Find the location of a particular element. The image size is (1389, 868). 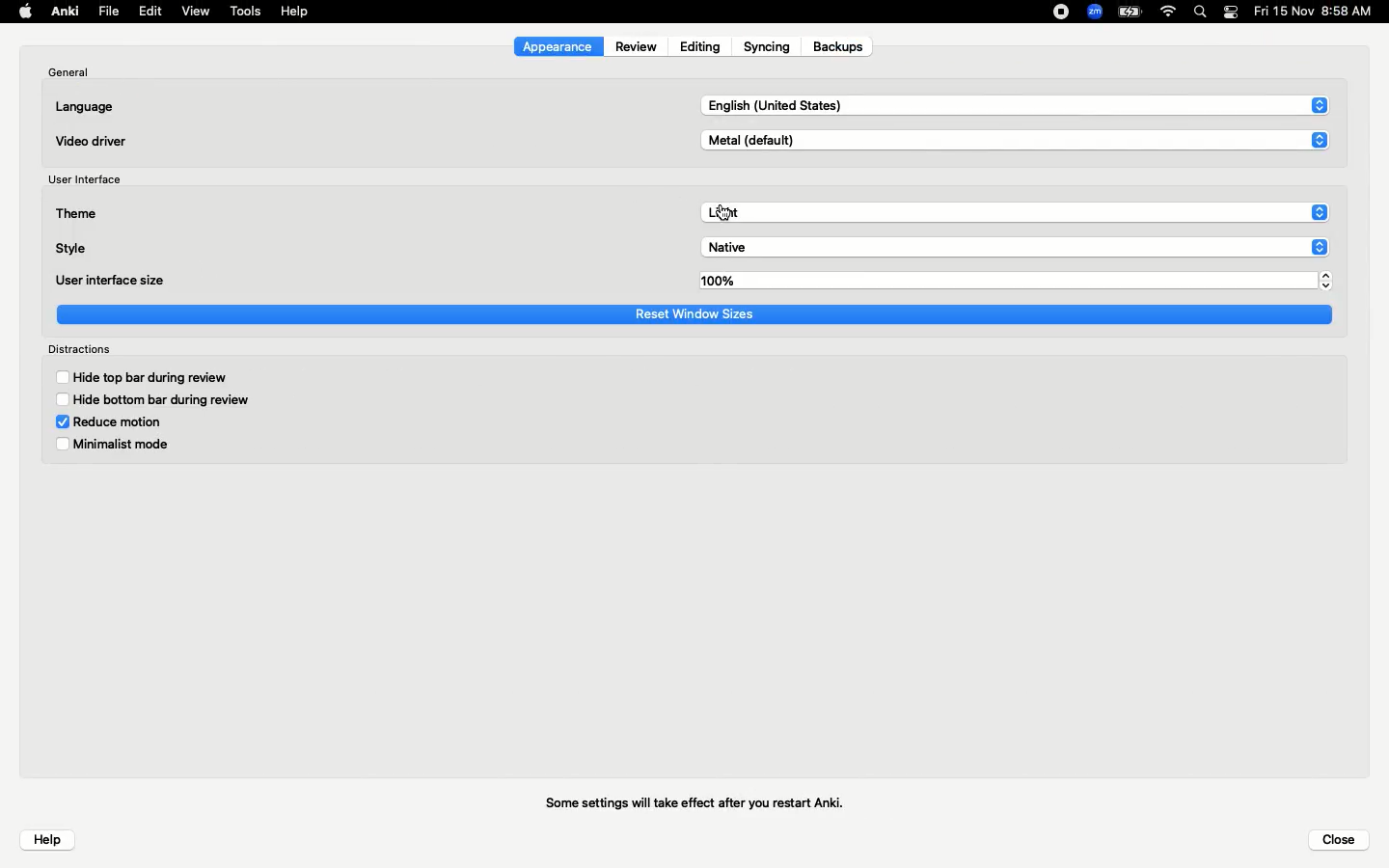

Video driver is located at coordinates (97, 140).